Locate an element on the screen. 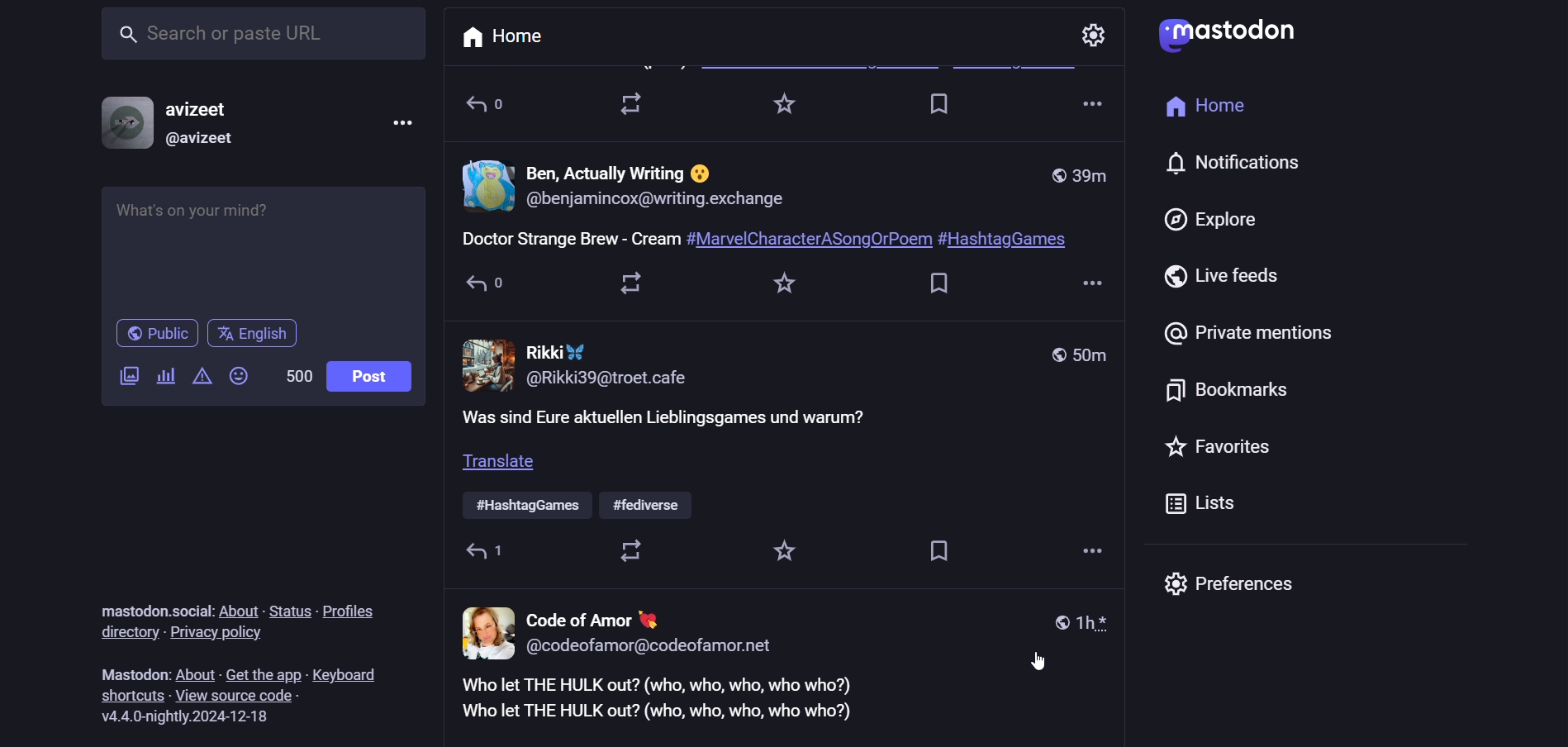 The height and width of the screenshot is (747, 1568). English is located at coordinates (262, 332).